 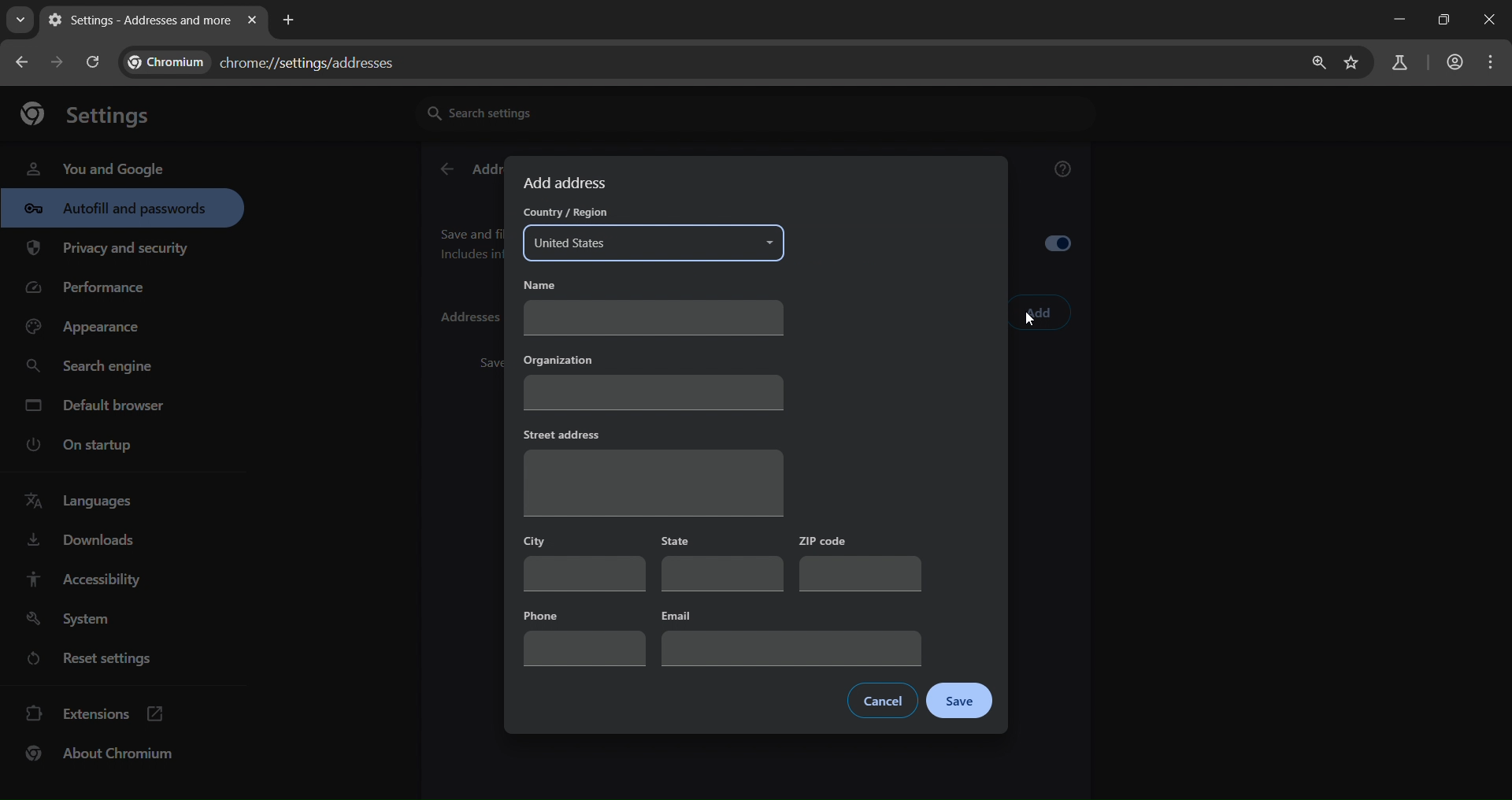 I want to click on bout chromium, so click(x=102, y=753).